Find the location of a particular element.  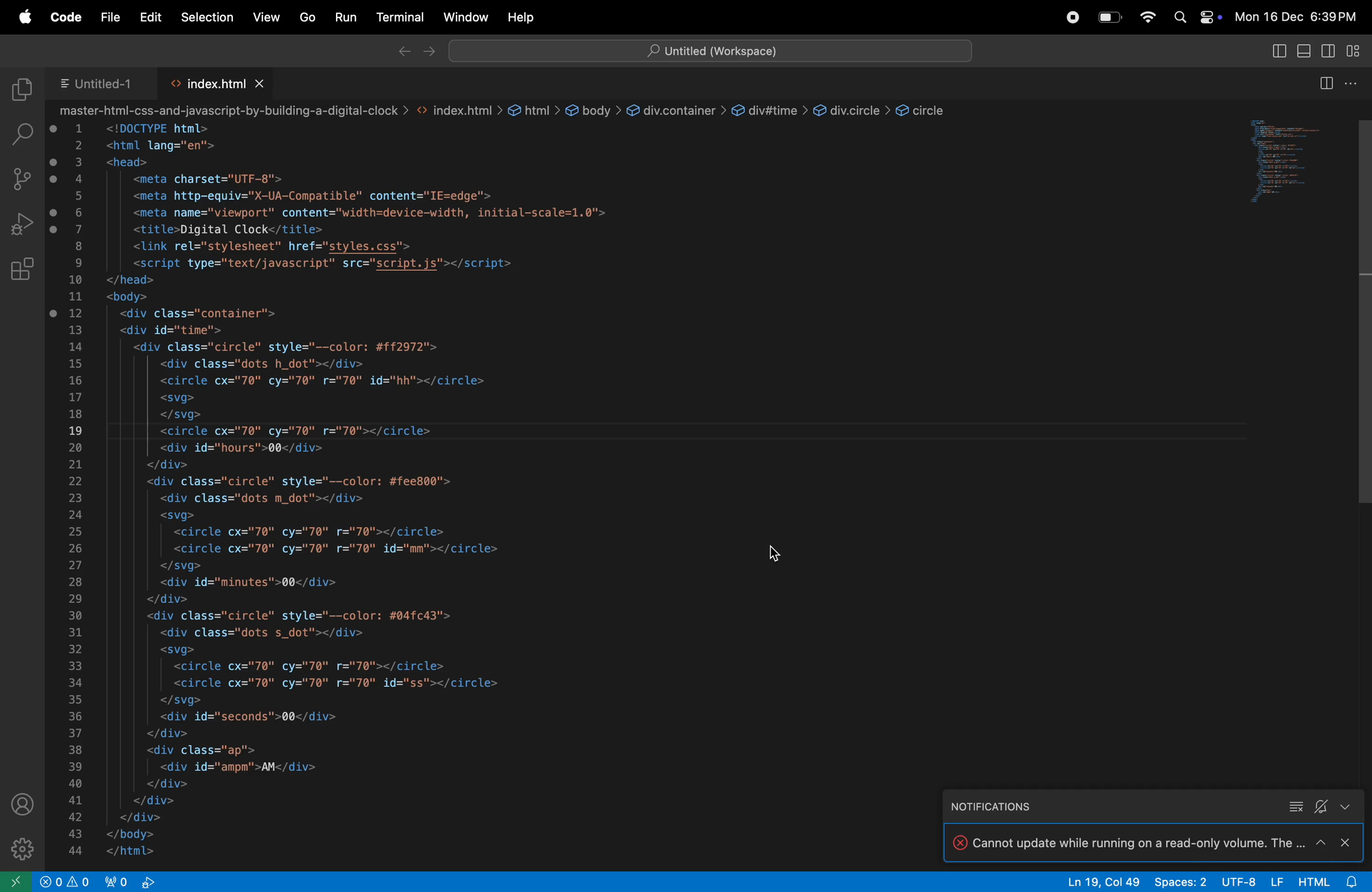

source control is located at coordinates (21, 180).